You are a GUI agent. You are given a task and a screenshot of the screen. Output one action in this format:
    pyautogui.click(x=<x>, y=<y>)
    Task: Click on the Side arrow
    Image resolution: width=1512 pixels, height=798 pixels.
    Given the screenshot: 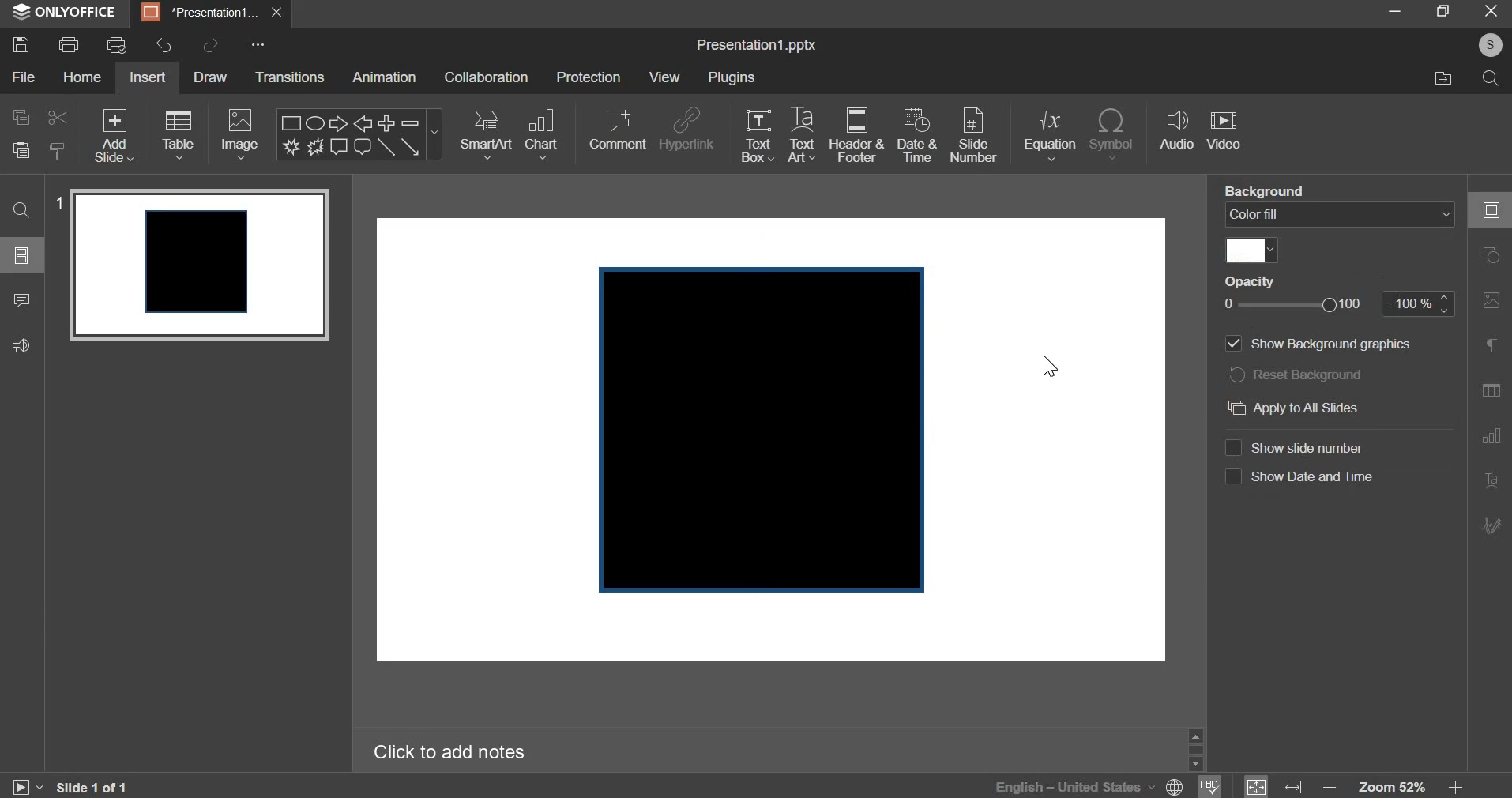 What is the action you would take?
    pyautogui.click(x=410, y=149)
    